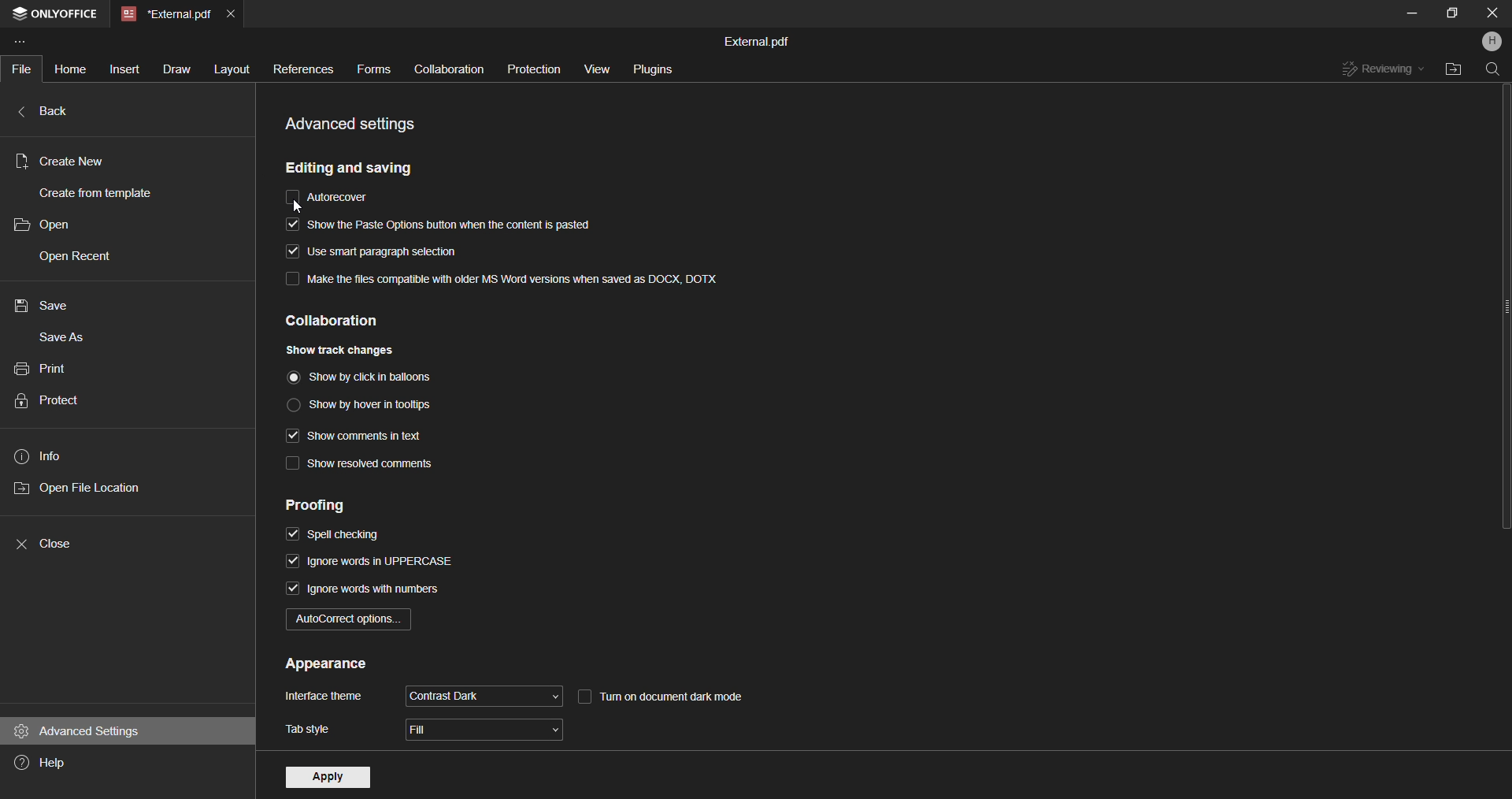 The height and width of the screenshot is (799, 1512). What do you see at coordinates (42, 455) in the screenshot?
I see `info` at bounding box center [42, 455].